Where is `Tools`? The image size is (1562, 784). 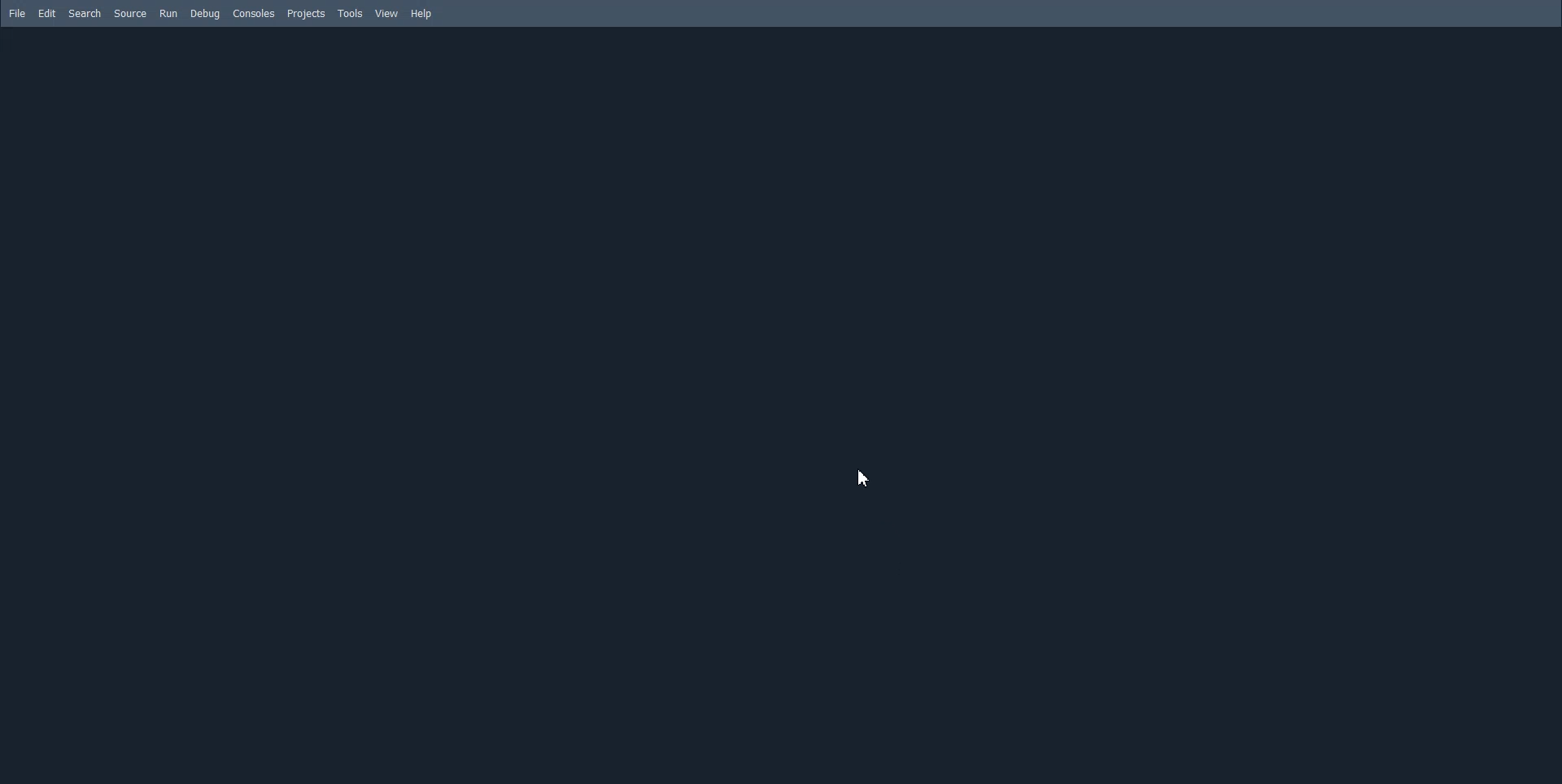
Tools is located at coordinates (351, 13).